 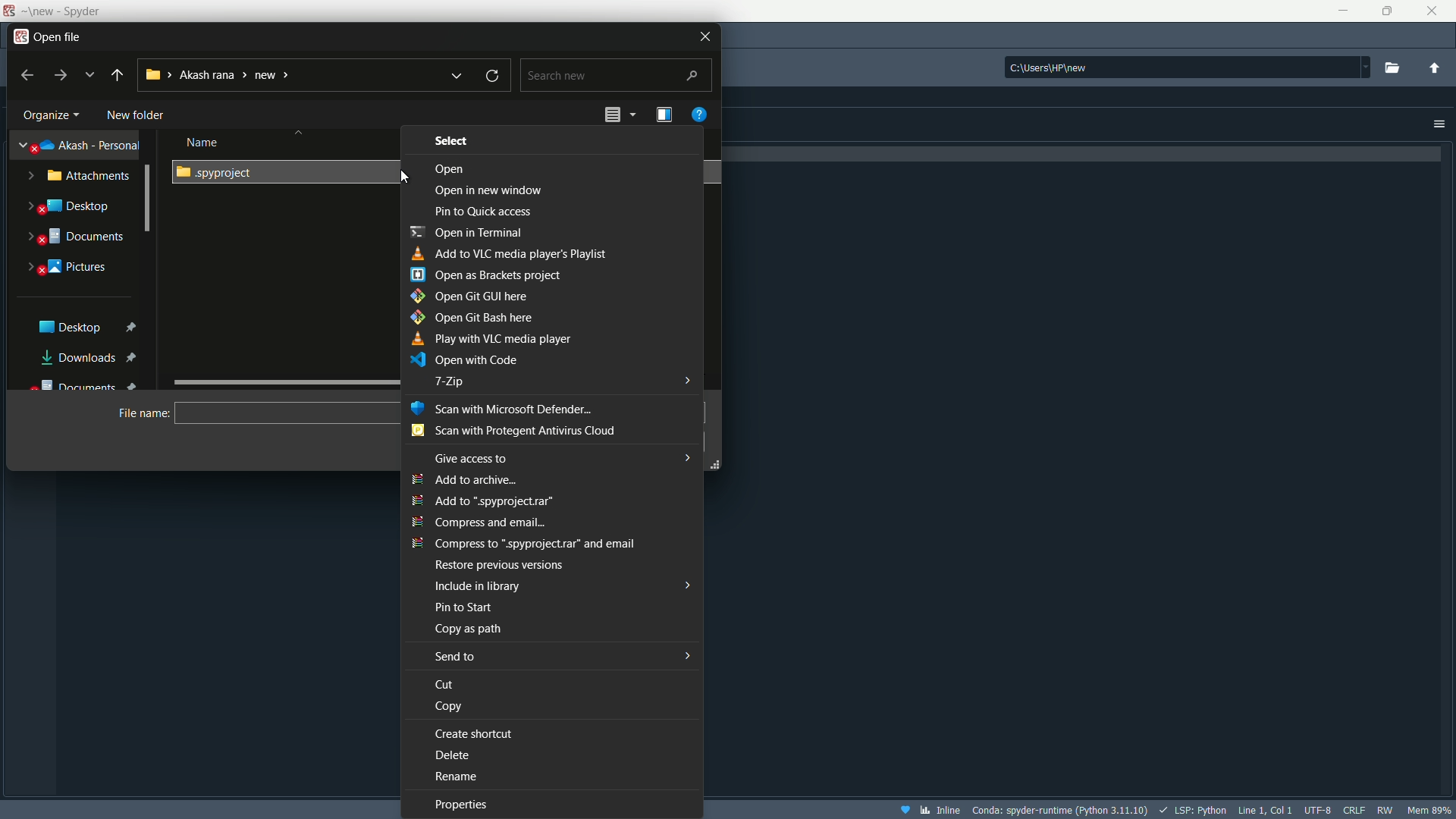 I want to click on App name, so click(x=70, y=11).